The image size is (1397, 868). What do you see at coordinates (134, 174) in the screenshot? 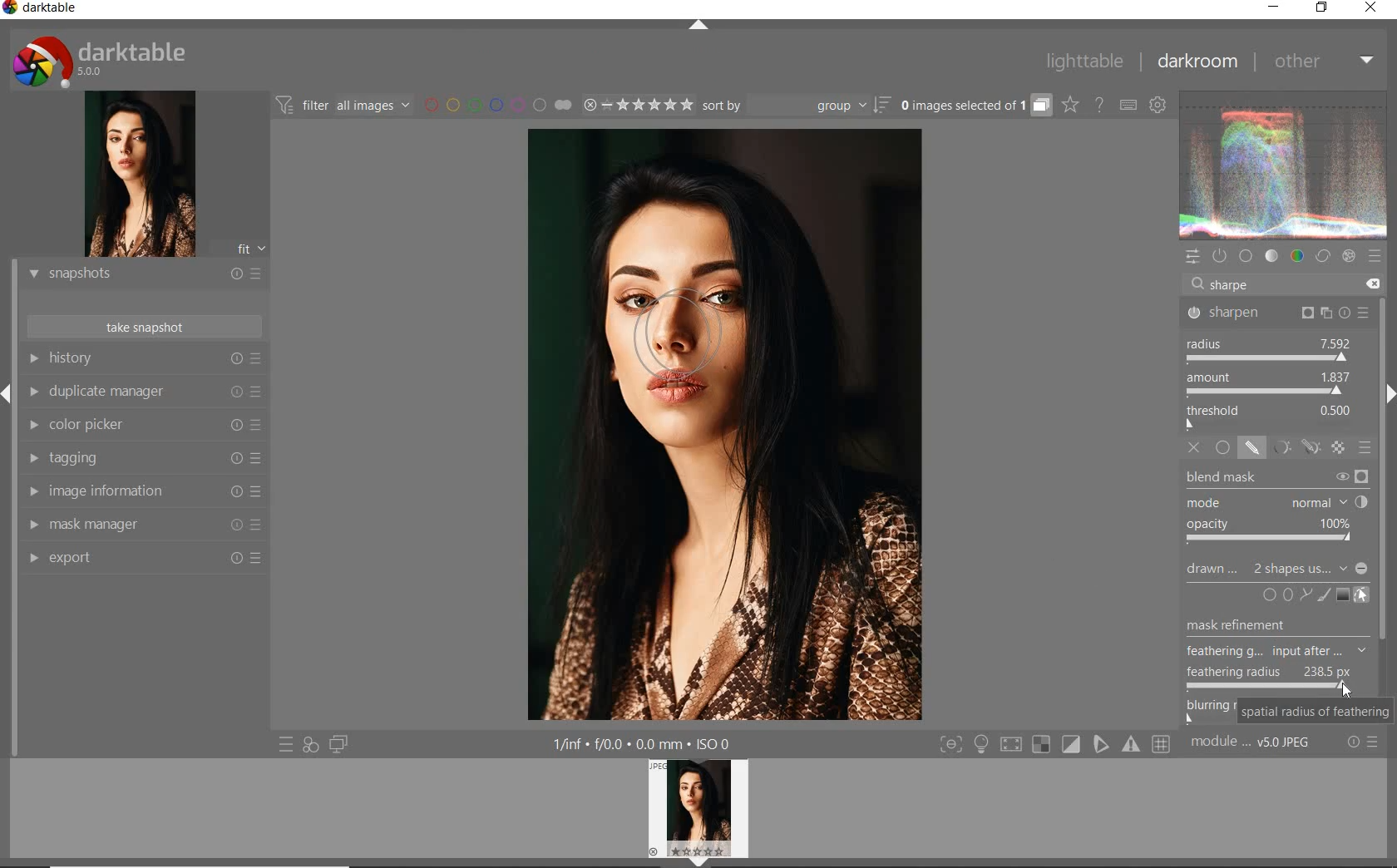
I see `image preview` at bounding box center [134, 174].